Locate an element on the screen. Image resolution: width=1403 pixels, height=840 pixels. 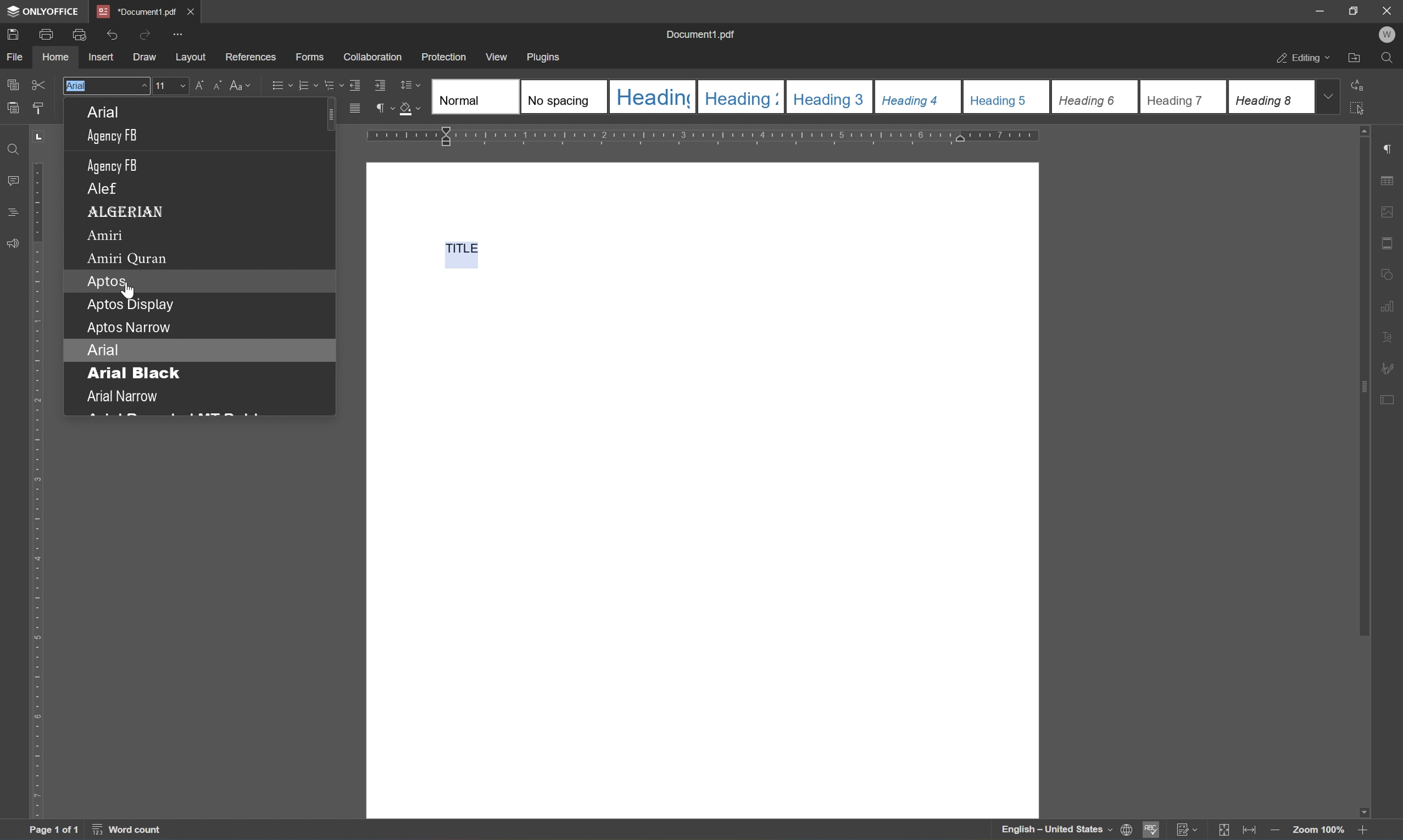
restore down is located at coordinates (1355, 11).